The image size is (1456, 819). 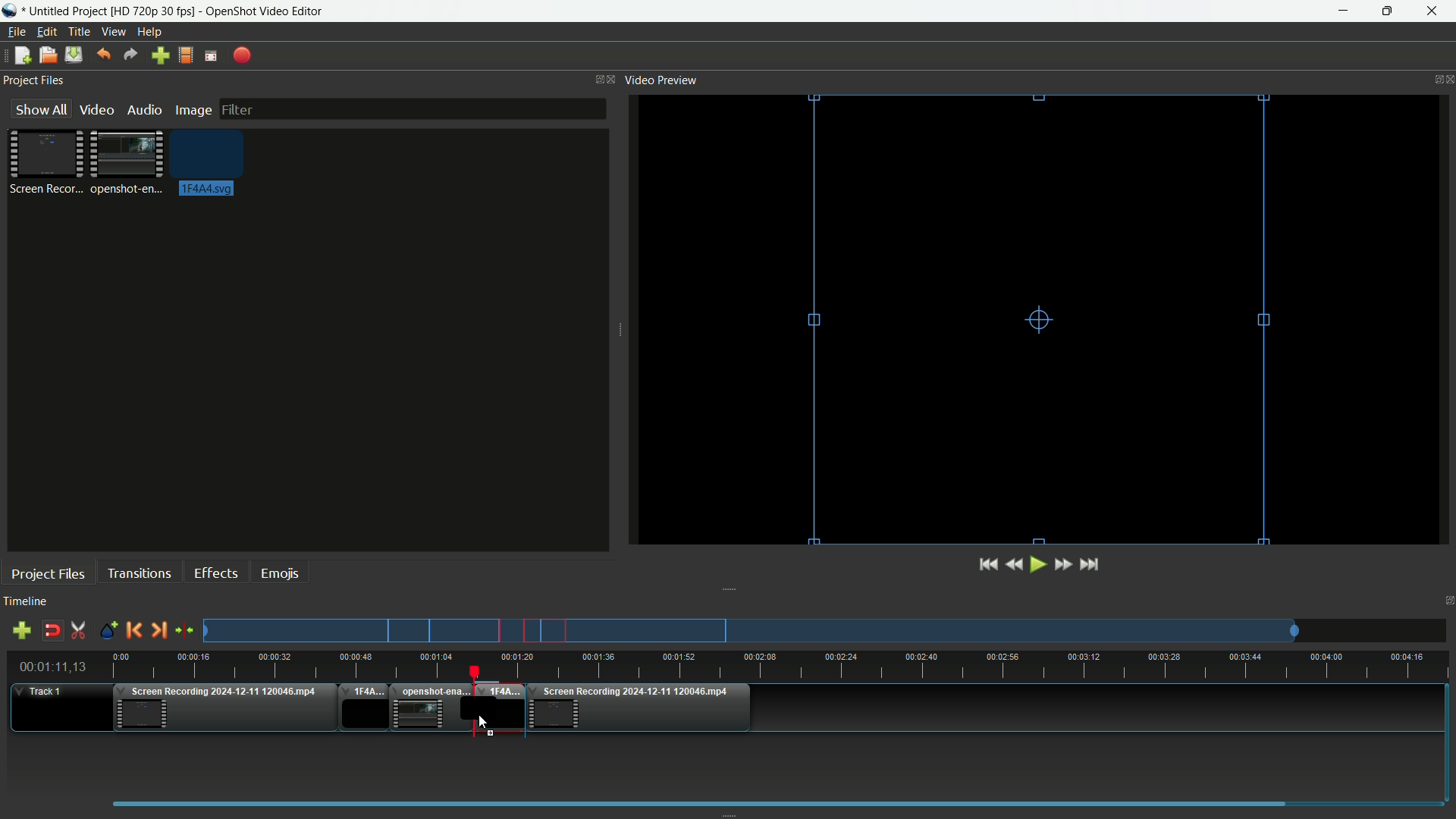 What do you see at coordinates (101, 55) in the screenshot?
I see `Undo` at bounding box center [101, 55].